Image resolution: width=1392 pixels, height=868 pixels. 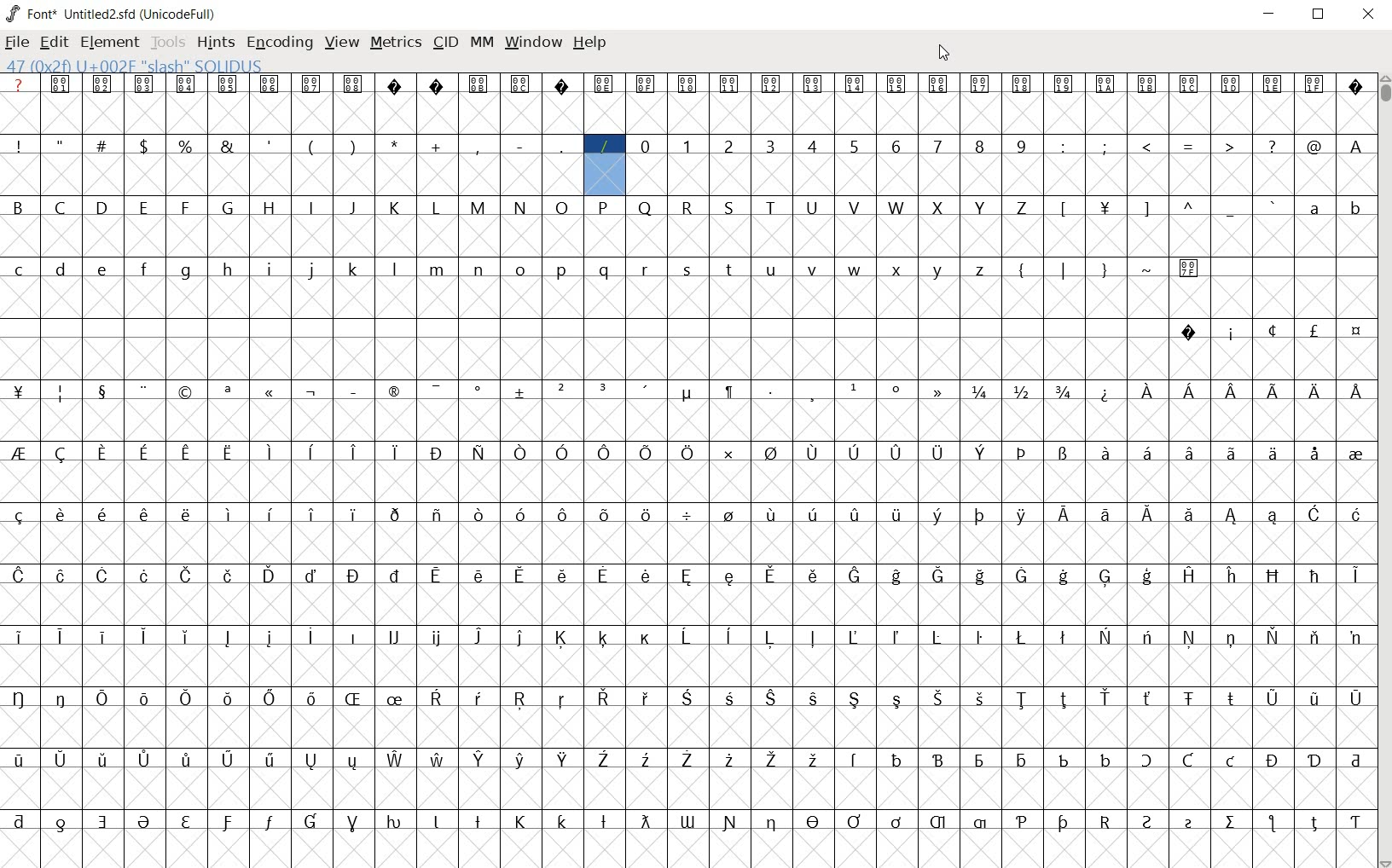 What do you see at coordinates (1064, 454) in the screenshot?
I see `glyph` at bounding box center [1064, 454].